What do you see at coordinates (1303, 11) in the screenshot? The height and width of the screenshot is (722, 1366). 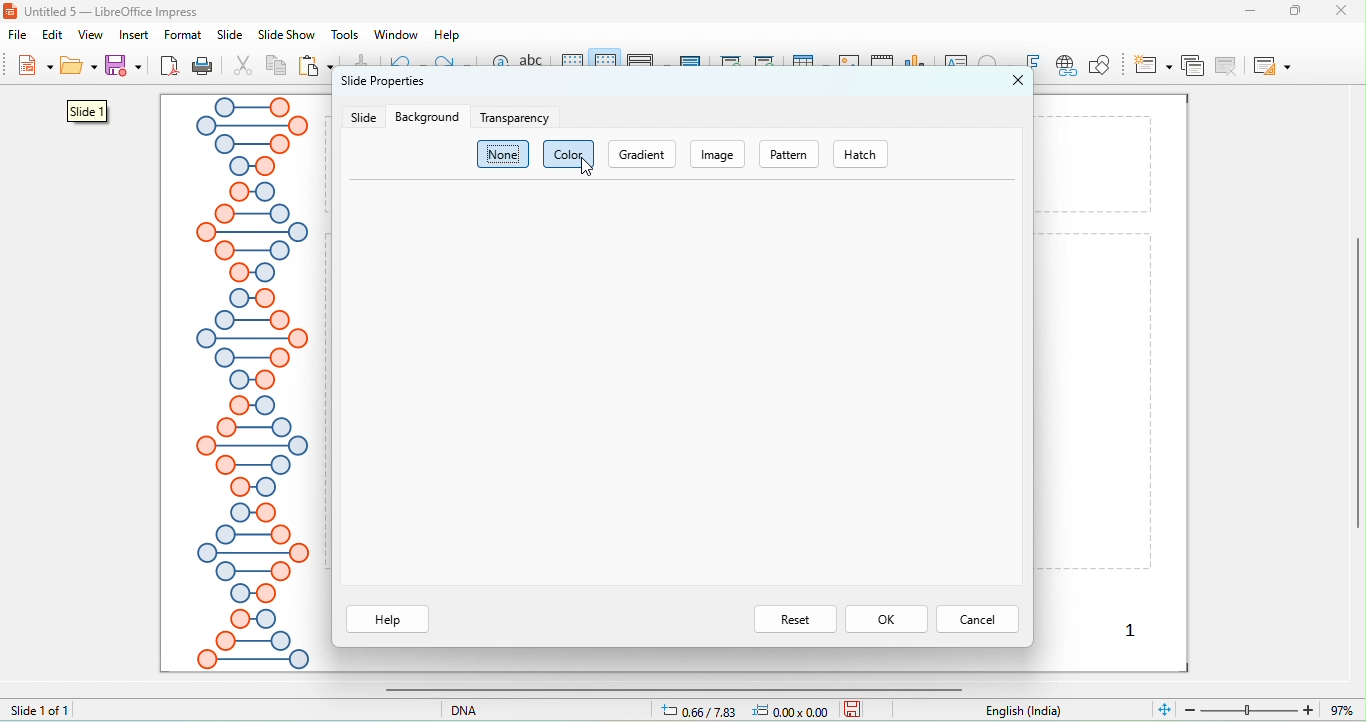 I see `maximize` at bounding box center [1303, 11].